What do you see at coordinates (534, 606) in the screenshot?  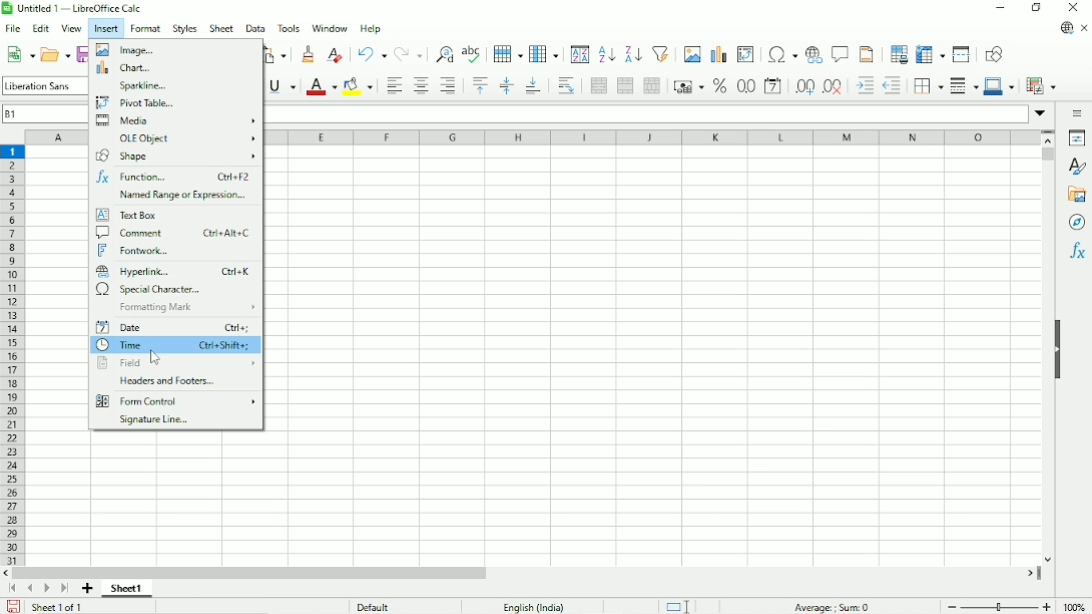 I see `Text language` at bounding box center [534, 606].